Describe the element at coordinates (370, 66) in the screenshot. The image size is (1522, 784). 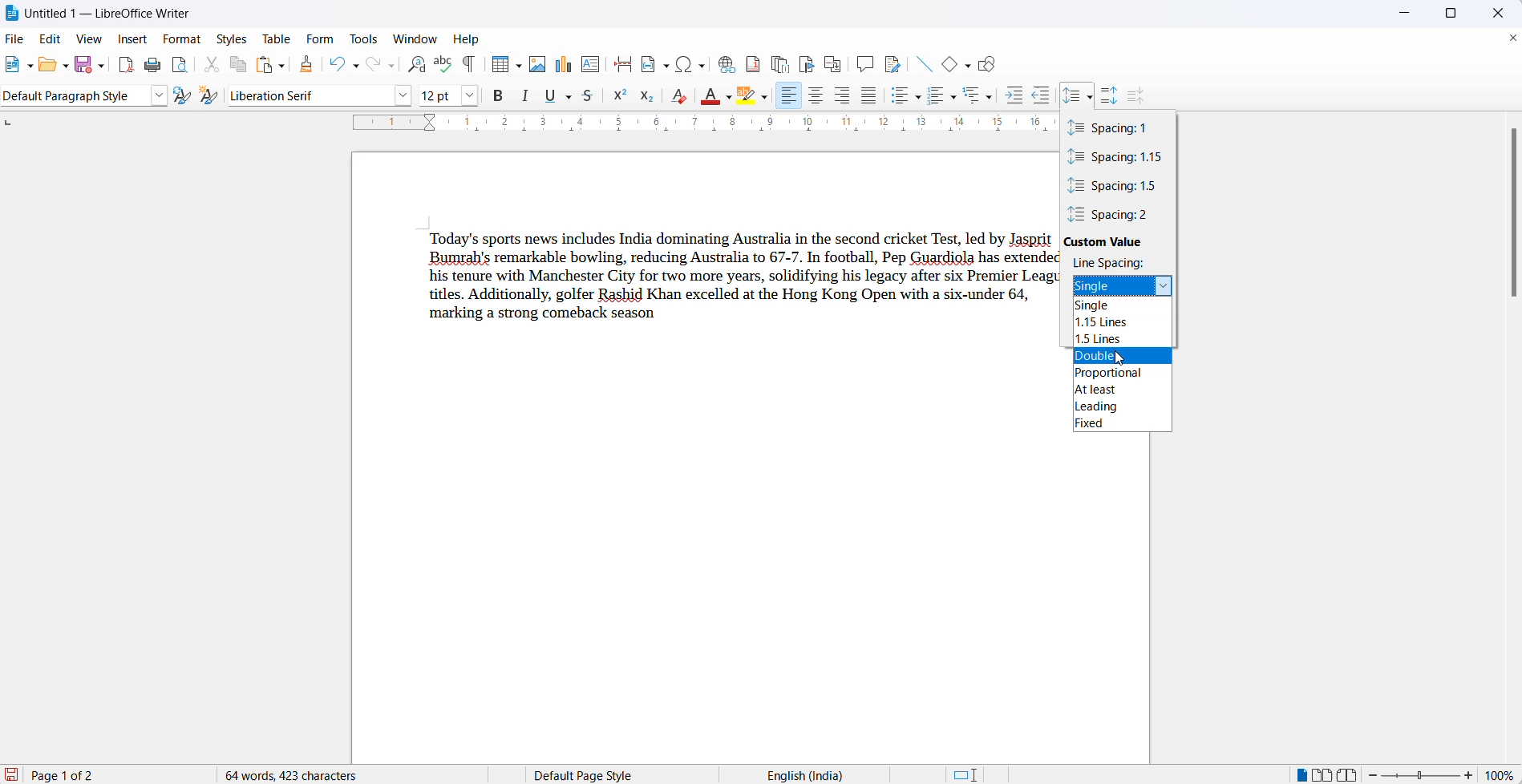
I see `redo` at that location.